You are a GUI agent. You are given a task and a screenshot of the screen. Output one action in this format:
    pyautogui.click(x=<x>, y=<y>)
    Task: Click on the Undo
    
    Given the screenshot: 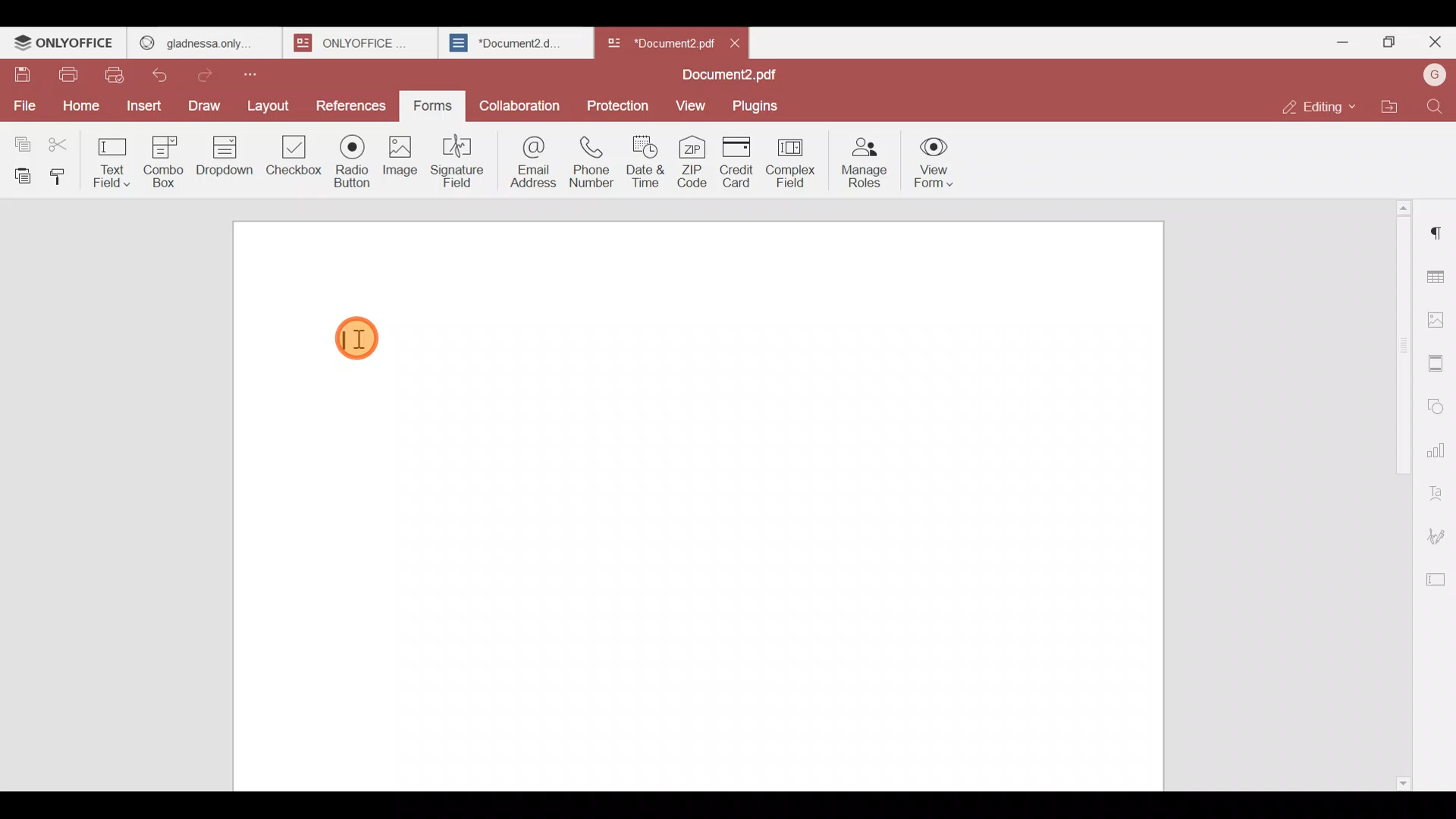 What is the action you would take?
    pyautogui.click(x=163, y=76)
    